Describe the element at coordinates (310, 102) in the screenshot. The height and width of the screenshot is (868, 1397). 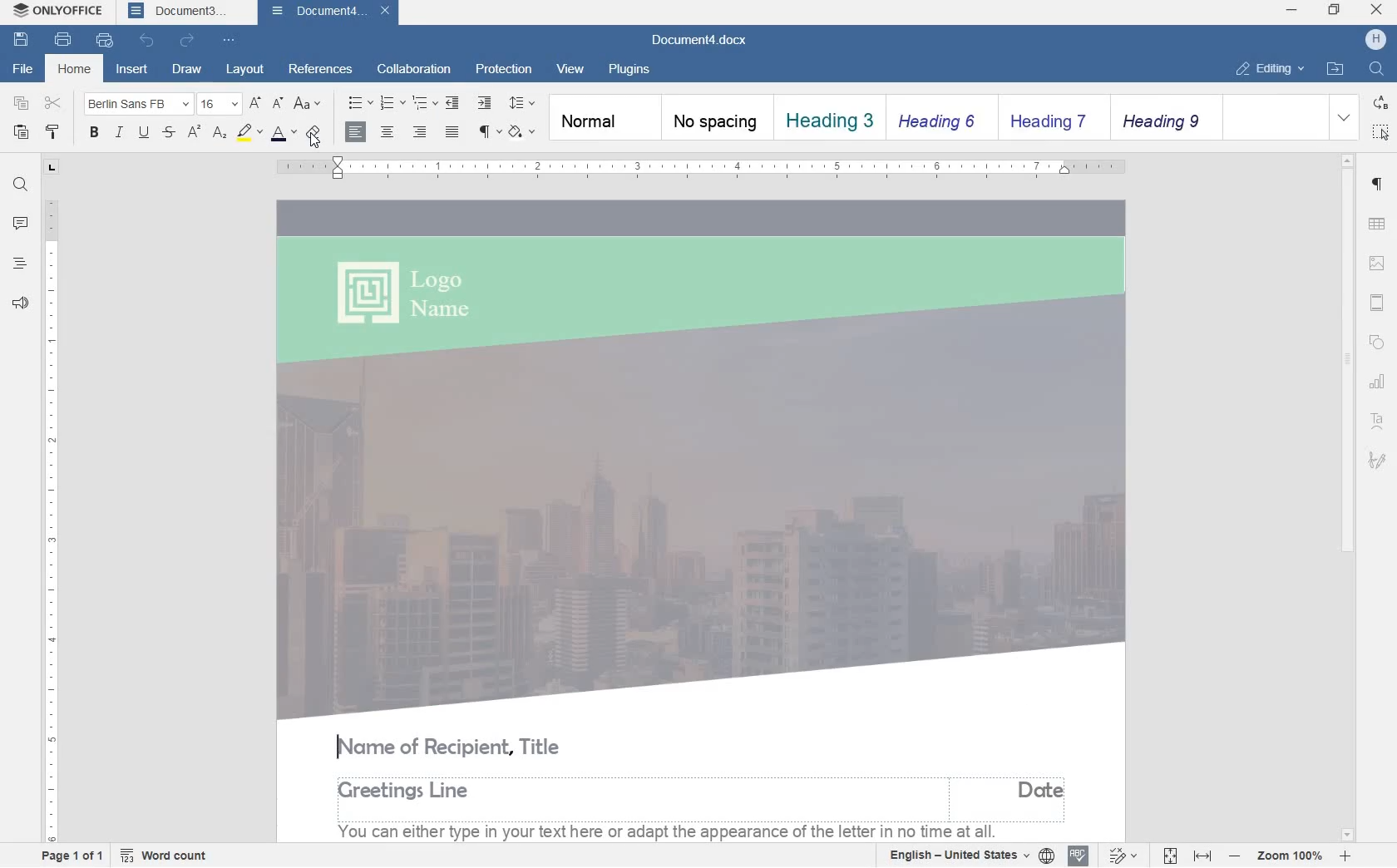
I see `change case` at that location.